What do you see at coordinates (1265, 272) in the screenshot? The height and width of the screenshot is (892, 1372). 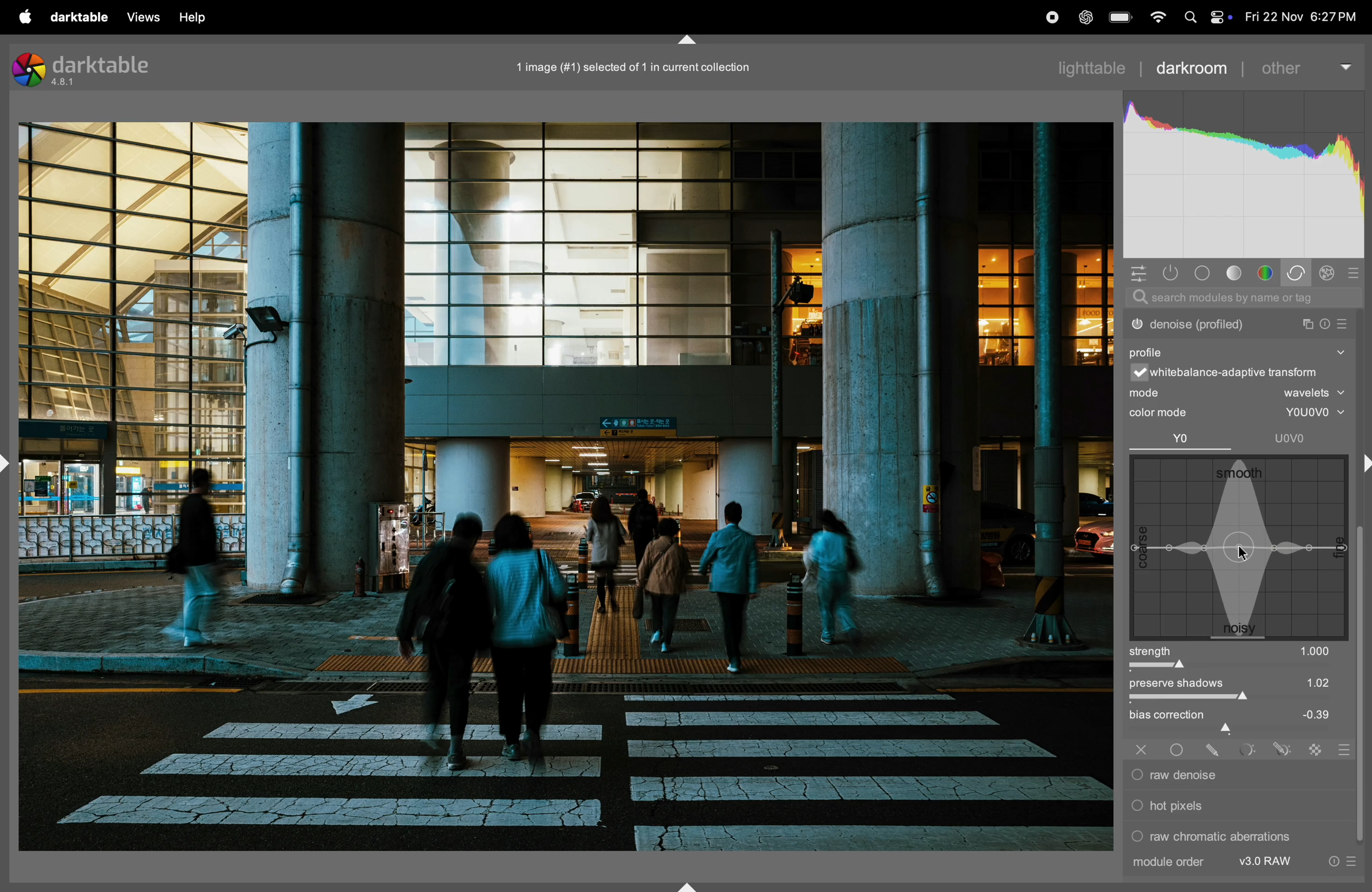 I see `color` at bounding box center [1265, 272].